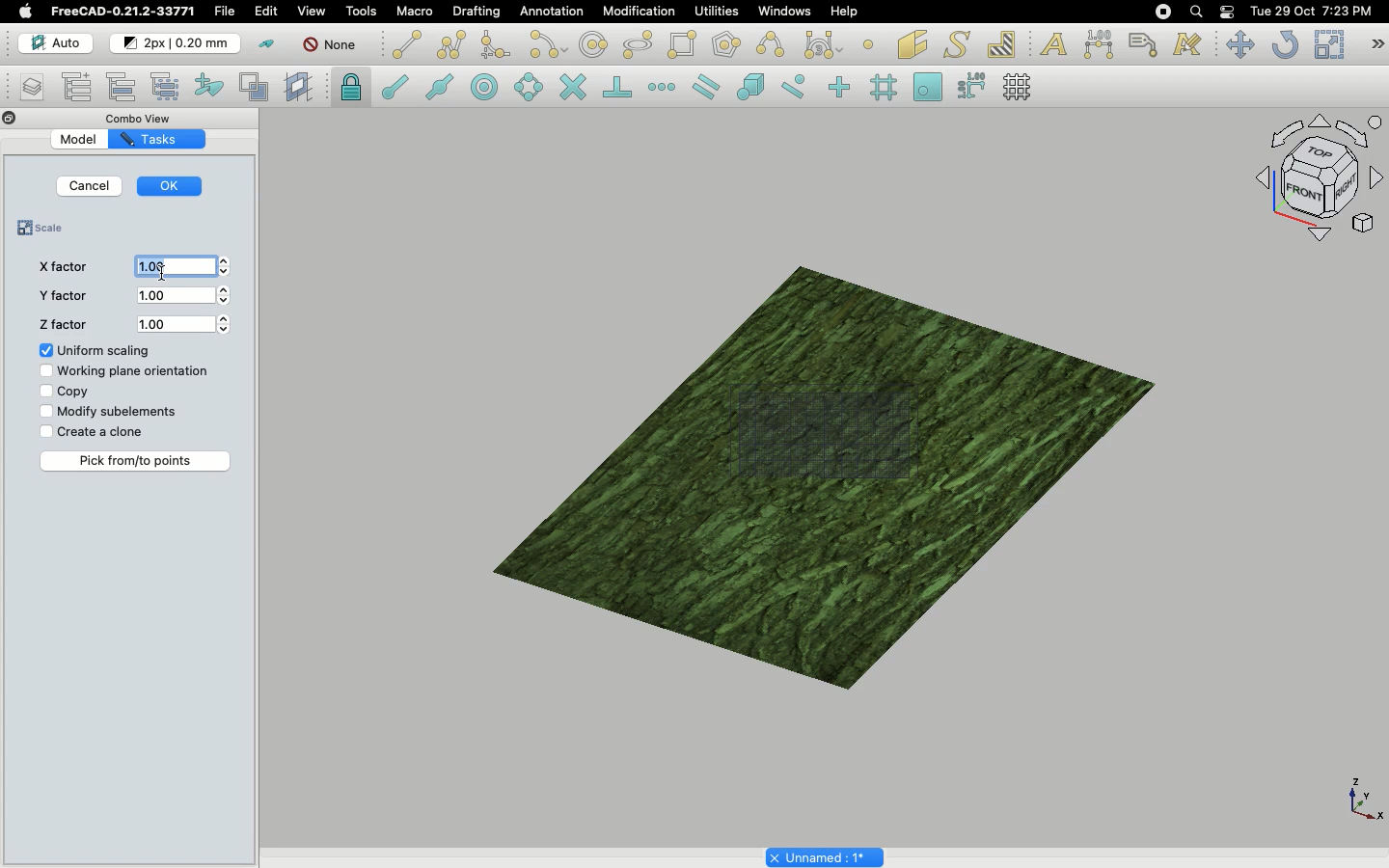 The image size is (1389, 868). What do you see at coordinates (872, 43) in the screenshot?
I see `Point` at bounding box center [872, 43].